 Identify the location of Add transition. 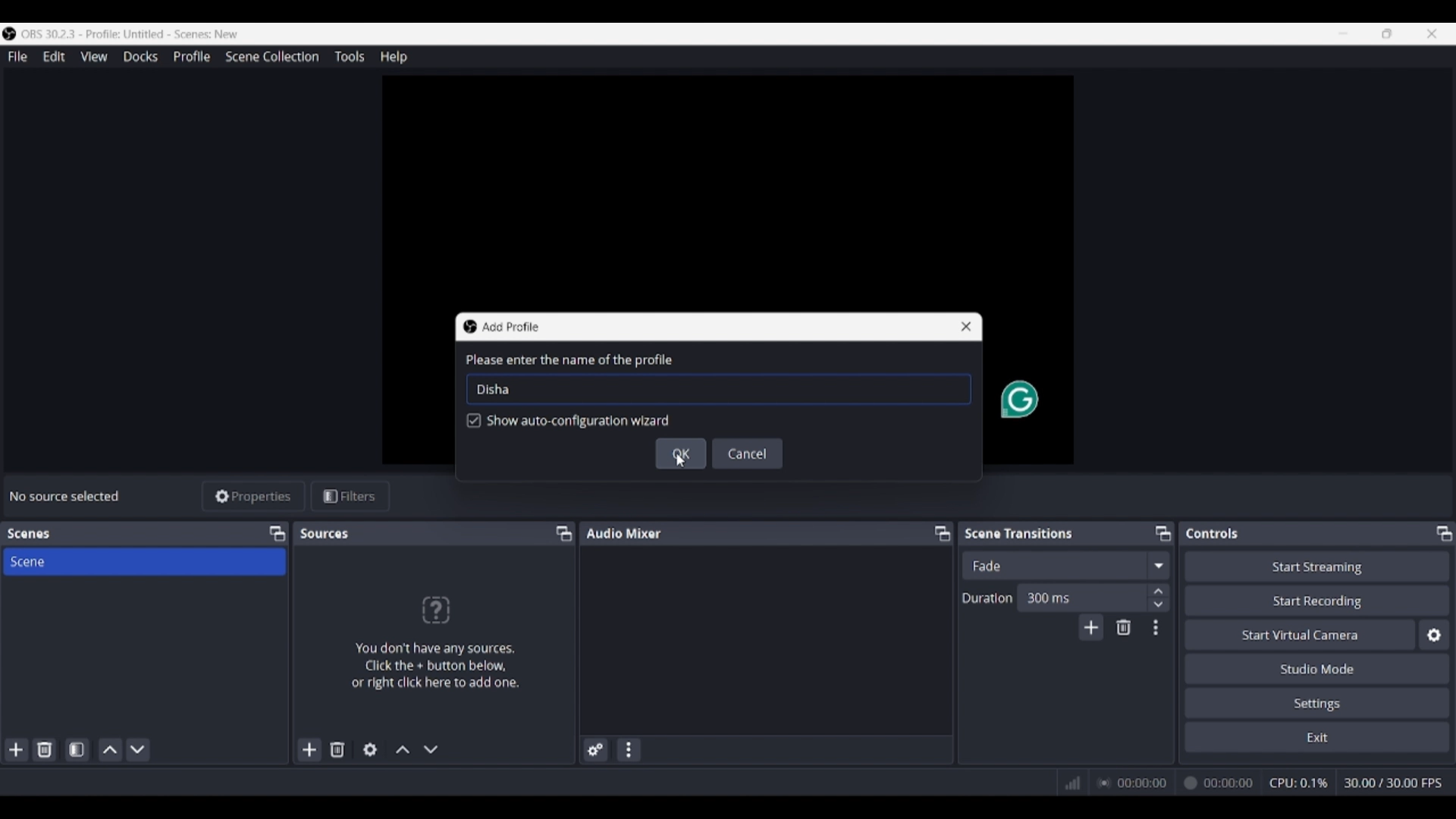
(1090, 627).